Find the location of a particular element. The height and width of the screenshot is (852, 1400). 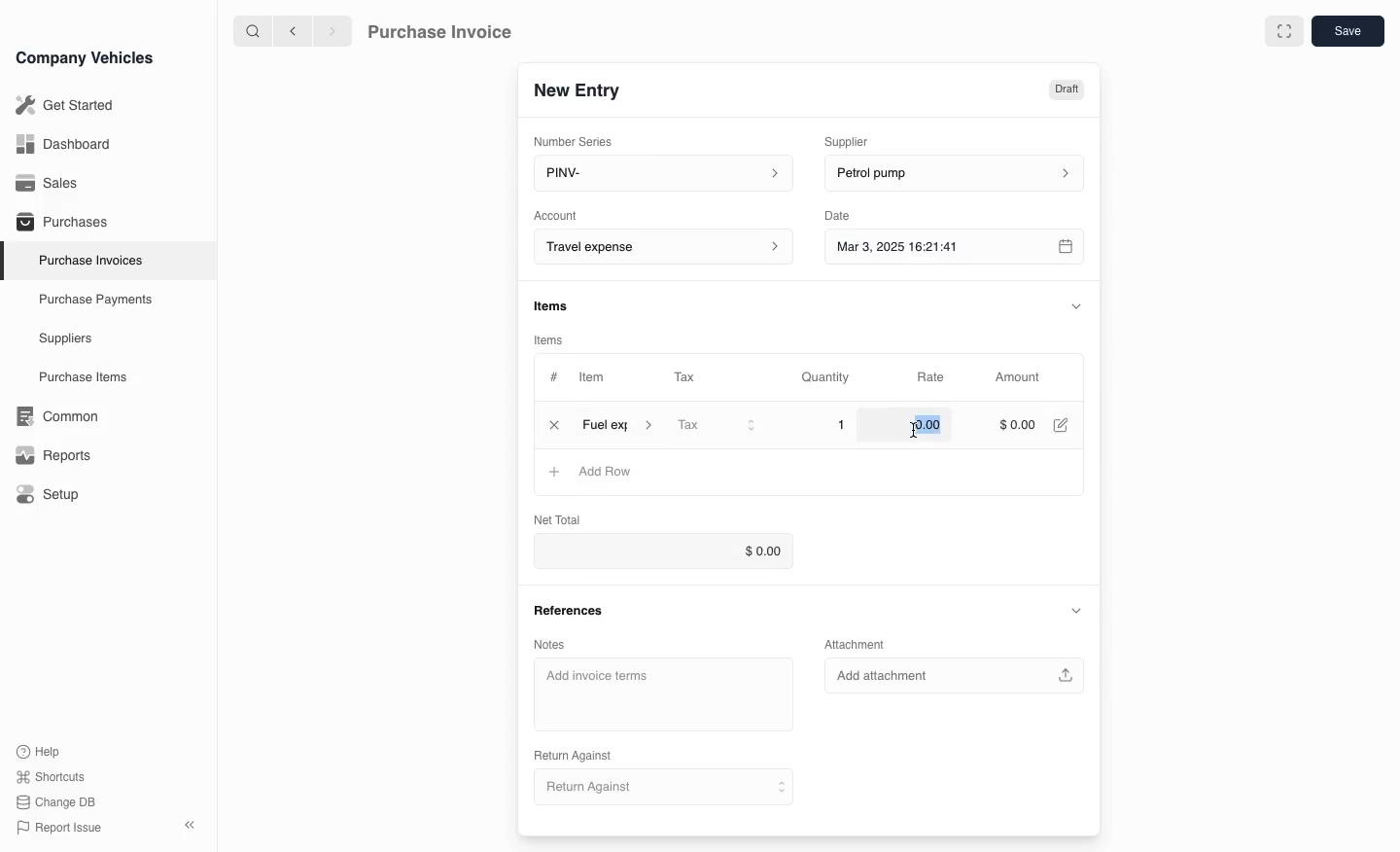

Purchase Invoices is located at coordinates (87, 260).